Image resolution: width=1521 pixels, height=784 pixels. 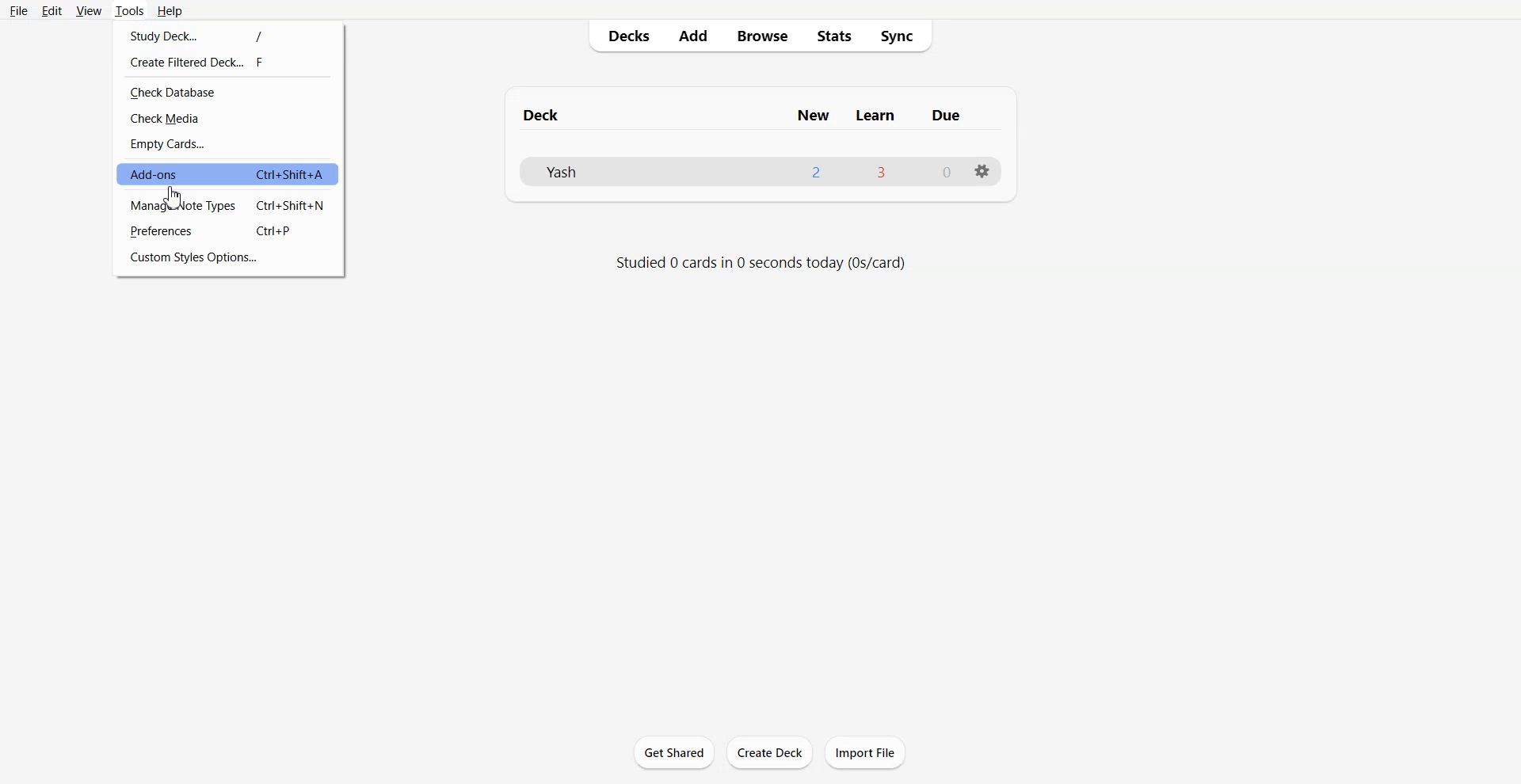 I want to click on Add, so click(x=694, y=36).